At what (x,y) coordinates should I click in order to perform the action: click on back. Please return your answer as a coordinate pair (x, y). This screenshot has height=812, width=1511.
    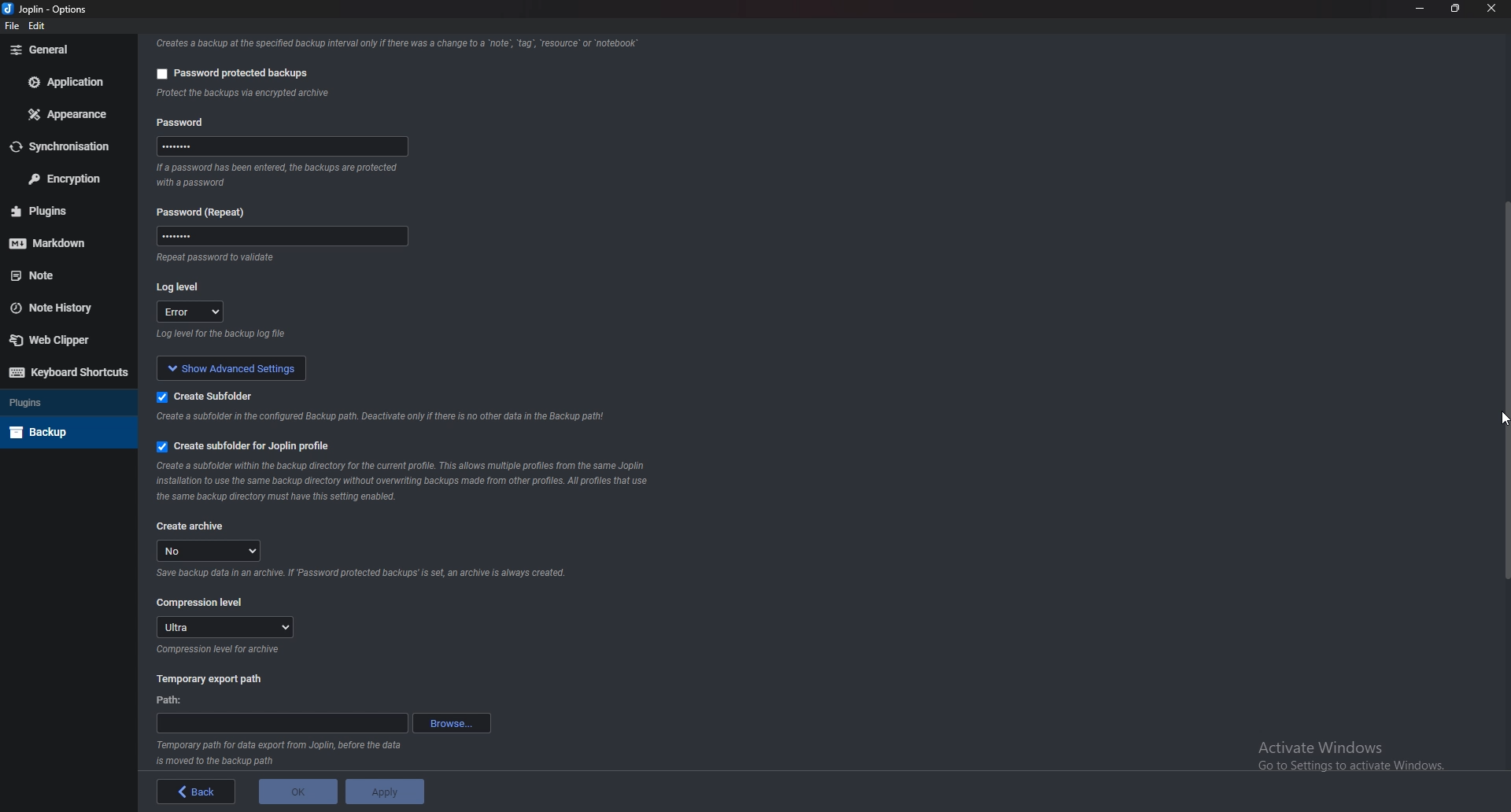
    Looking at the image, I should click on (192, 792).